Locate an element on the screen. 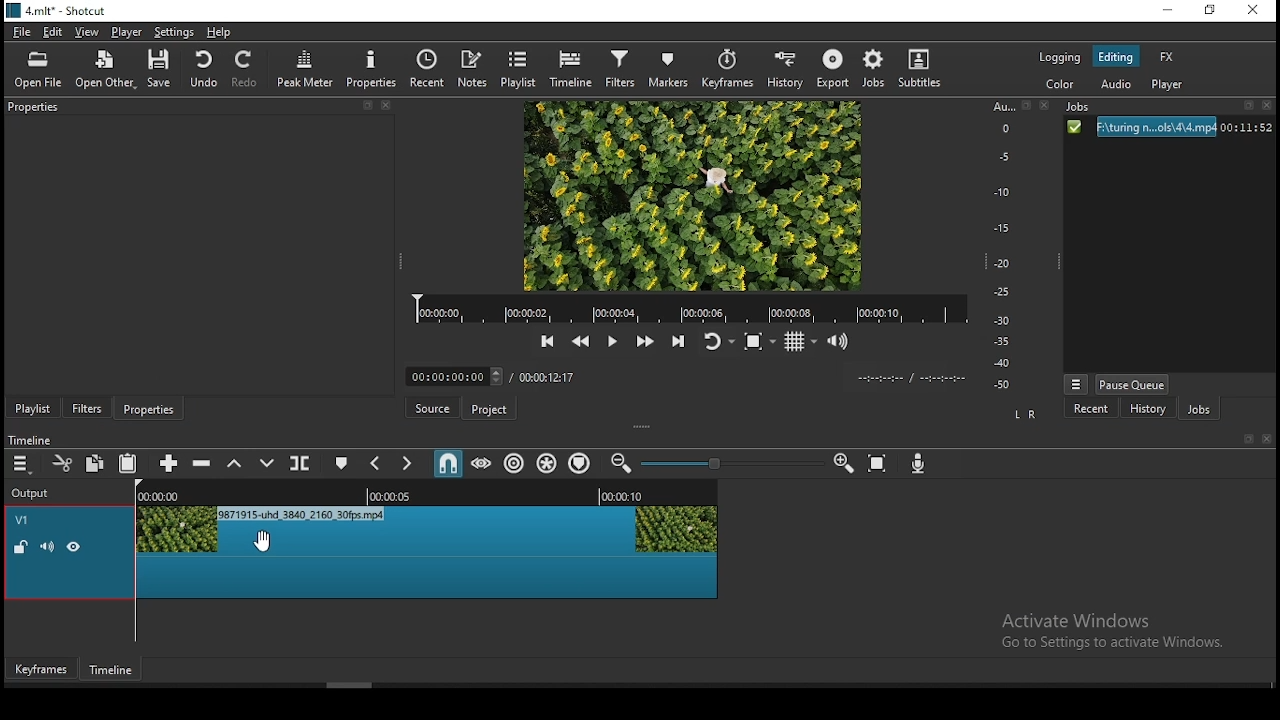 The height and width of the screenshot is (720, 1280). history is located at coordinates (1144, 410).